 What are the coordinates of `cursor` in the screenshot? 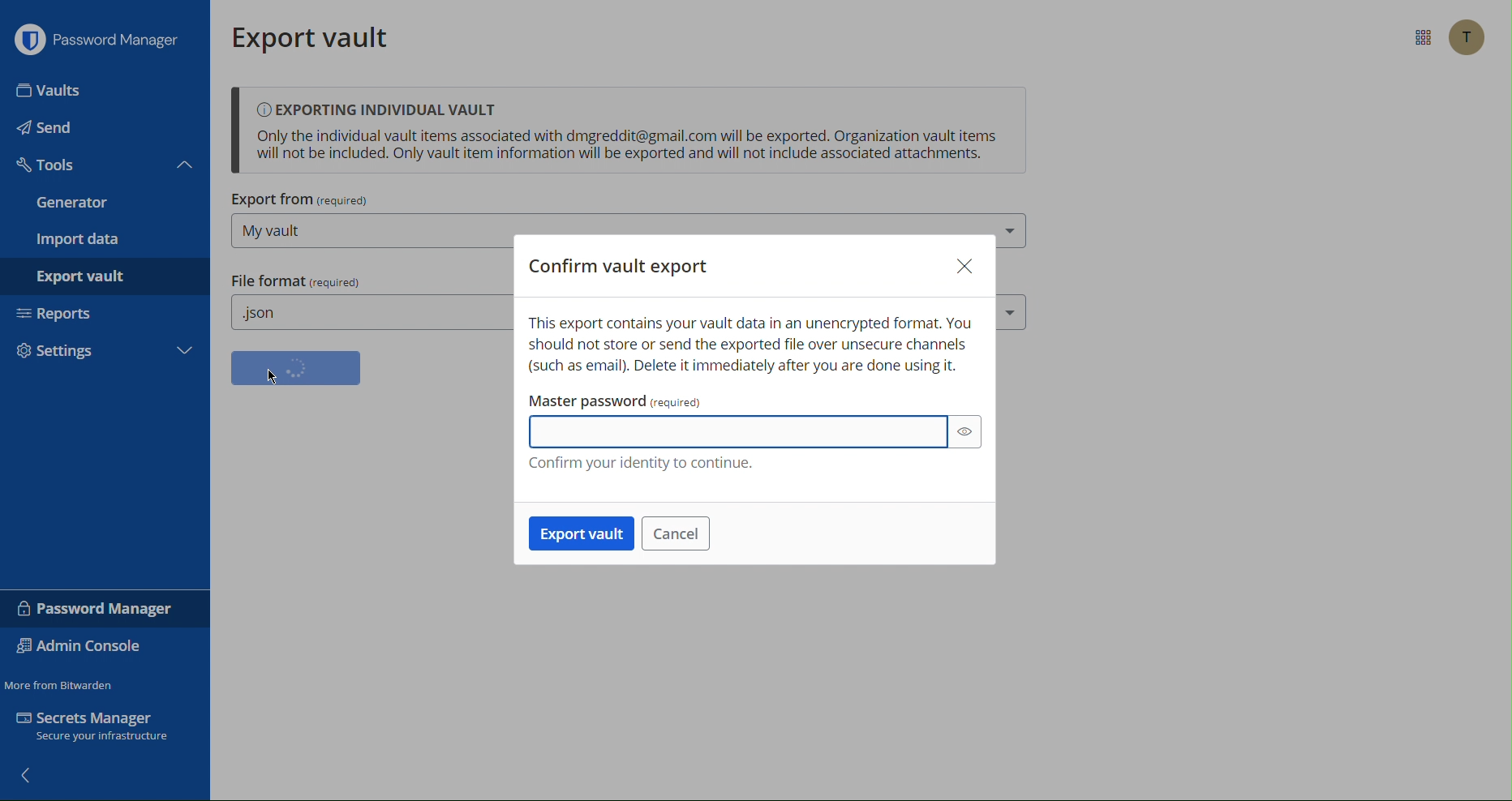 It's located at (276, 379).